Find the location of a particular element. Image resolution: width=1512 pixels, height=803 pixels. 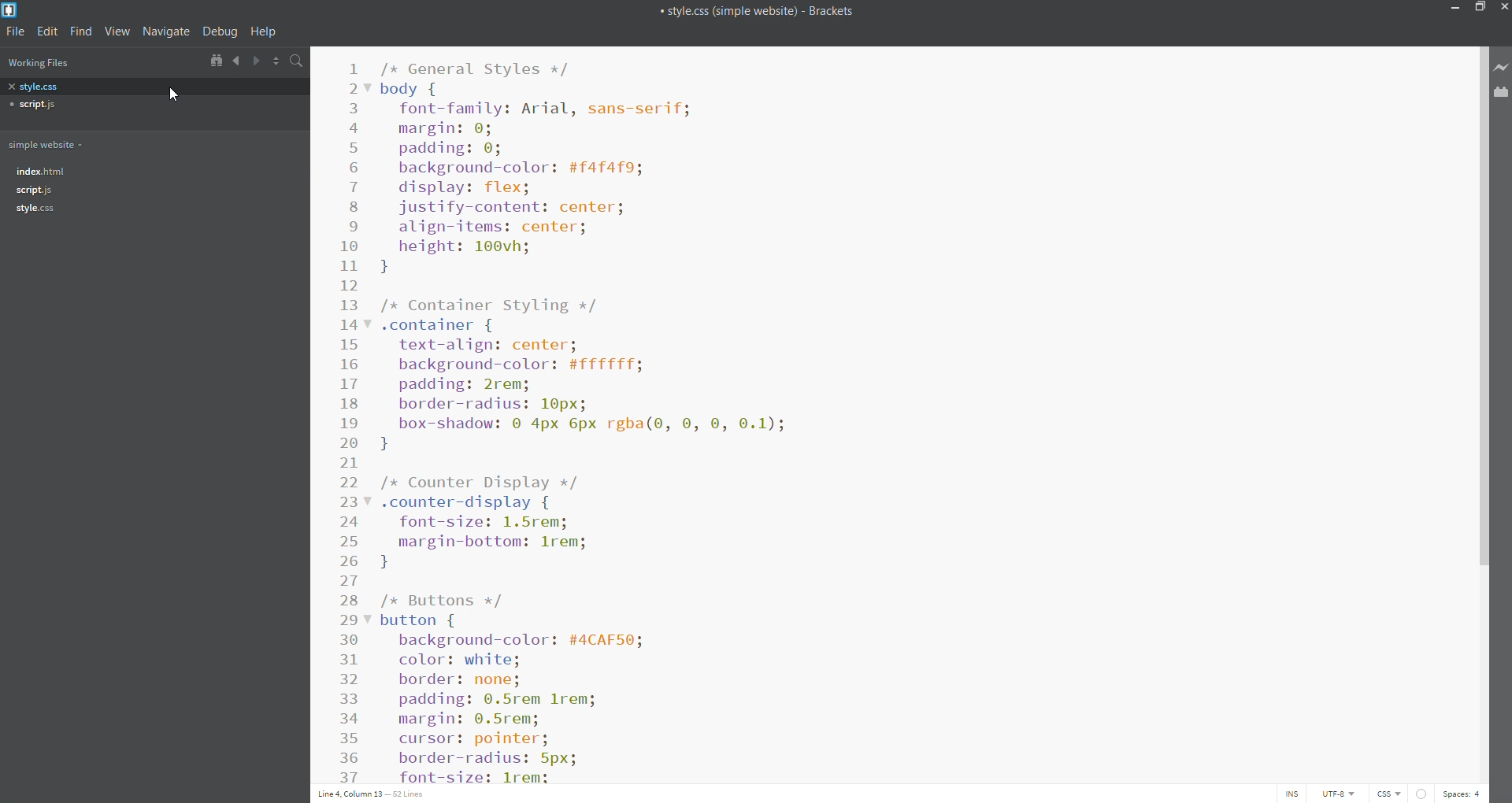

live preview is located at coordinates (1502, 69).